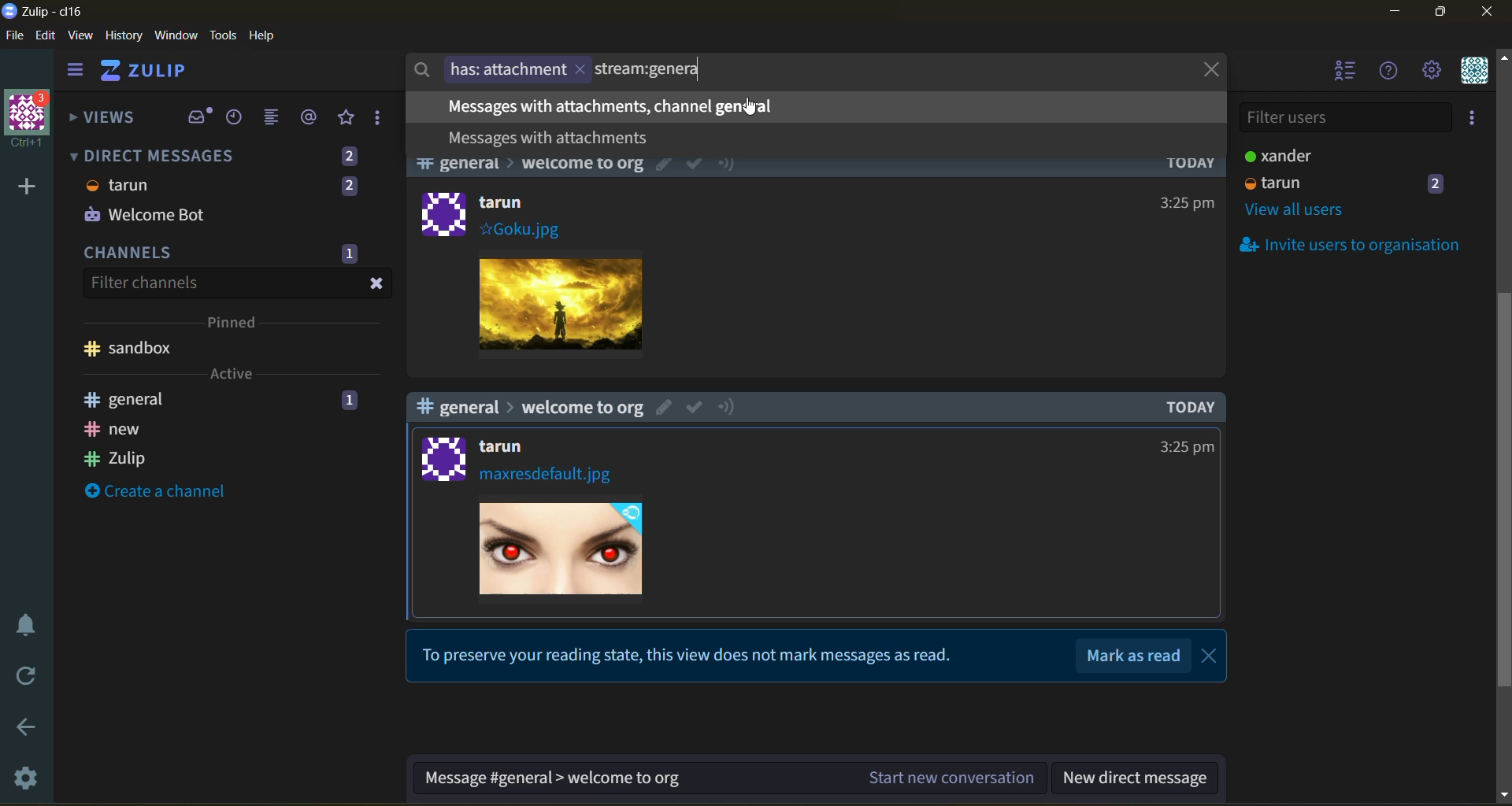  I want to click on view, so click(80, 35).